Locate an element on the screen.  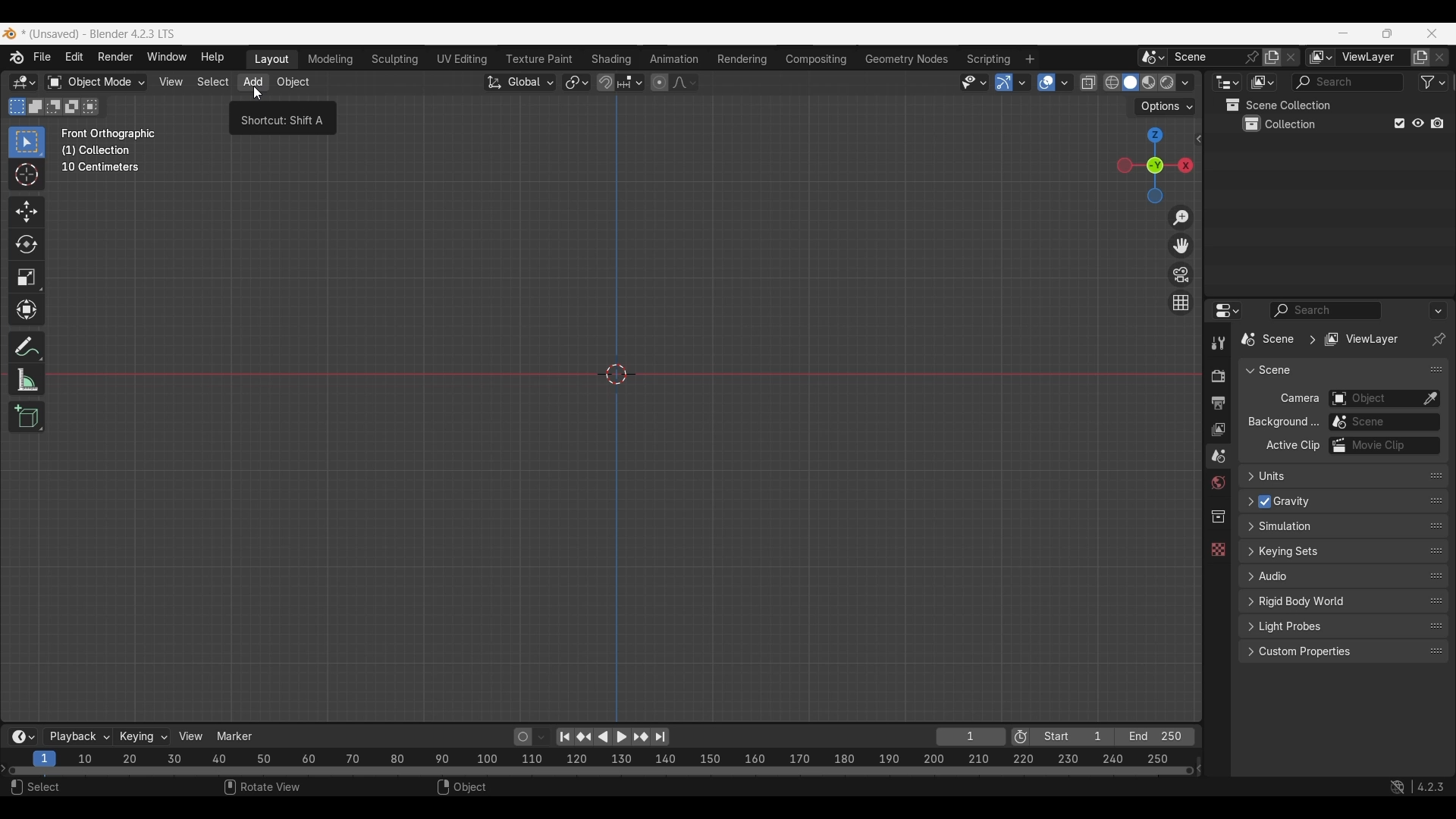
Annotate is located at coordinates (27, 347).